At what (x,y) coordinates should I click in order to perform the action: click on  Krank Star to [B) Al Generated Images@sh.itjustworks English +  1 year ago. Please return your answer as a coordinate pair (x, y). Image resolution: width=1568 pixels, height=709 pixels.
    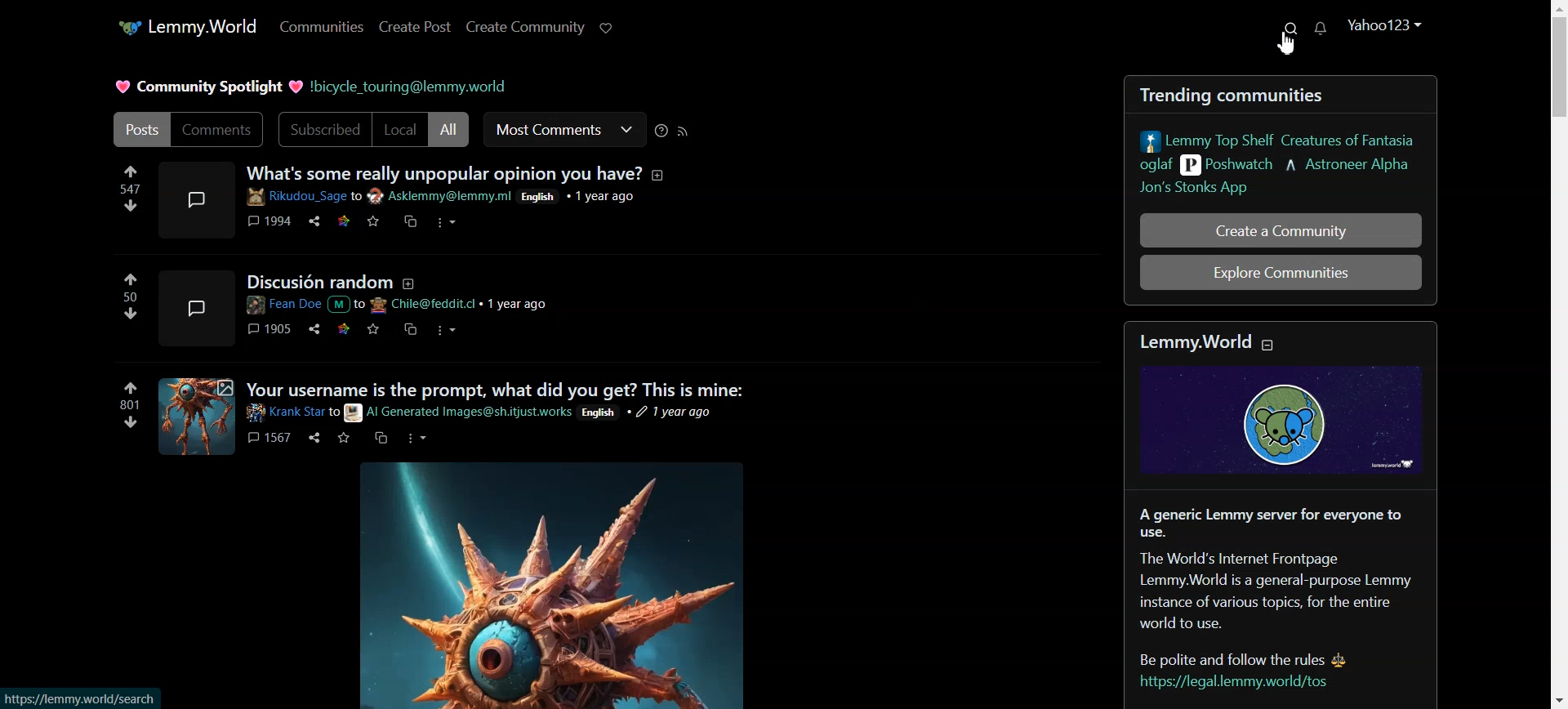
    Looking at the image, I should click on (492, 412).